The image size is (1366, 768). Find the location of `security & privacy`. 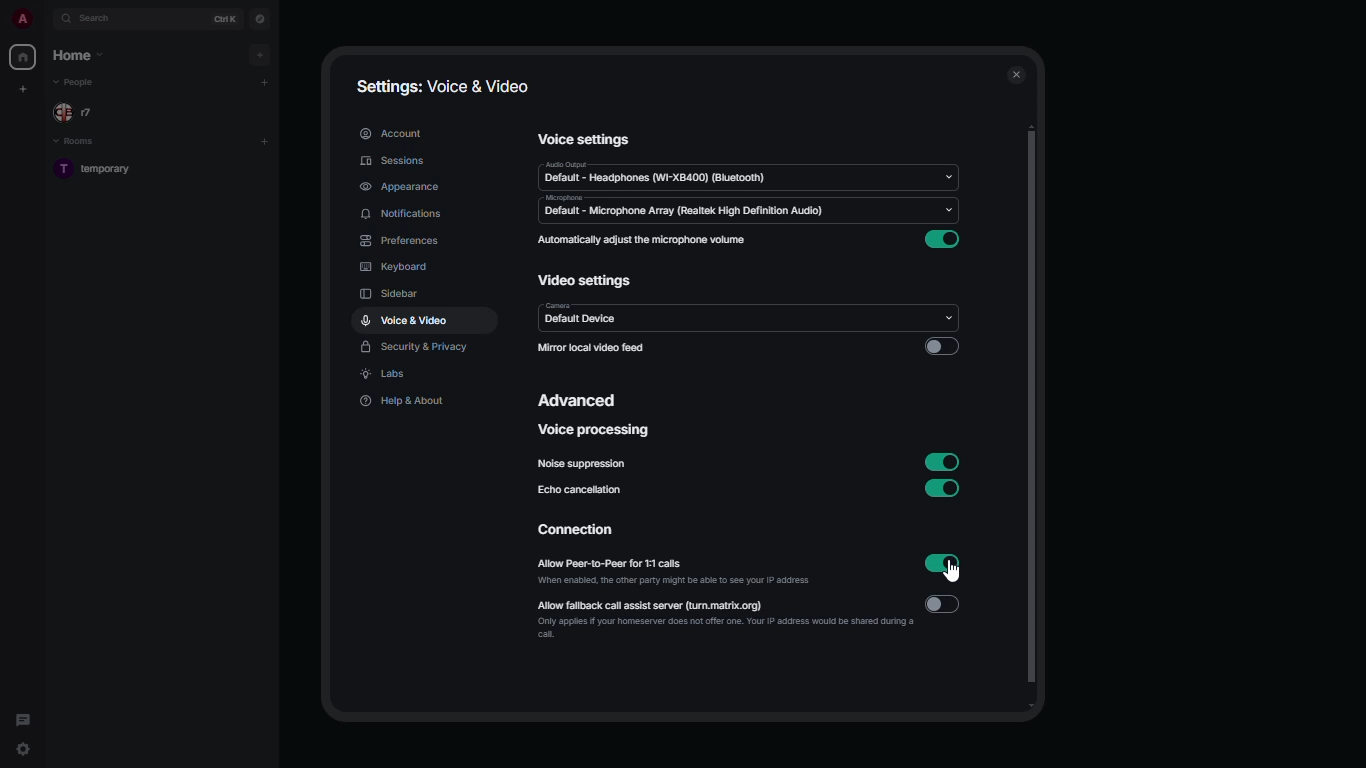

security & privacy is located at coordinates (415, 347).